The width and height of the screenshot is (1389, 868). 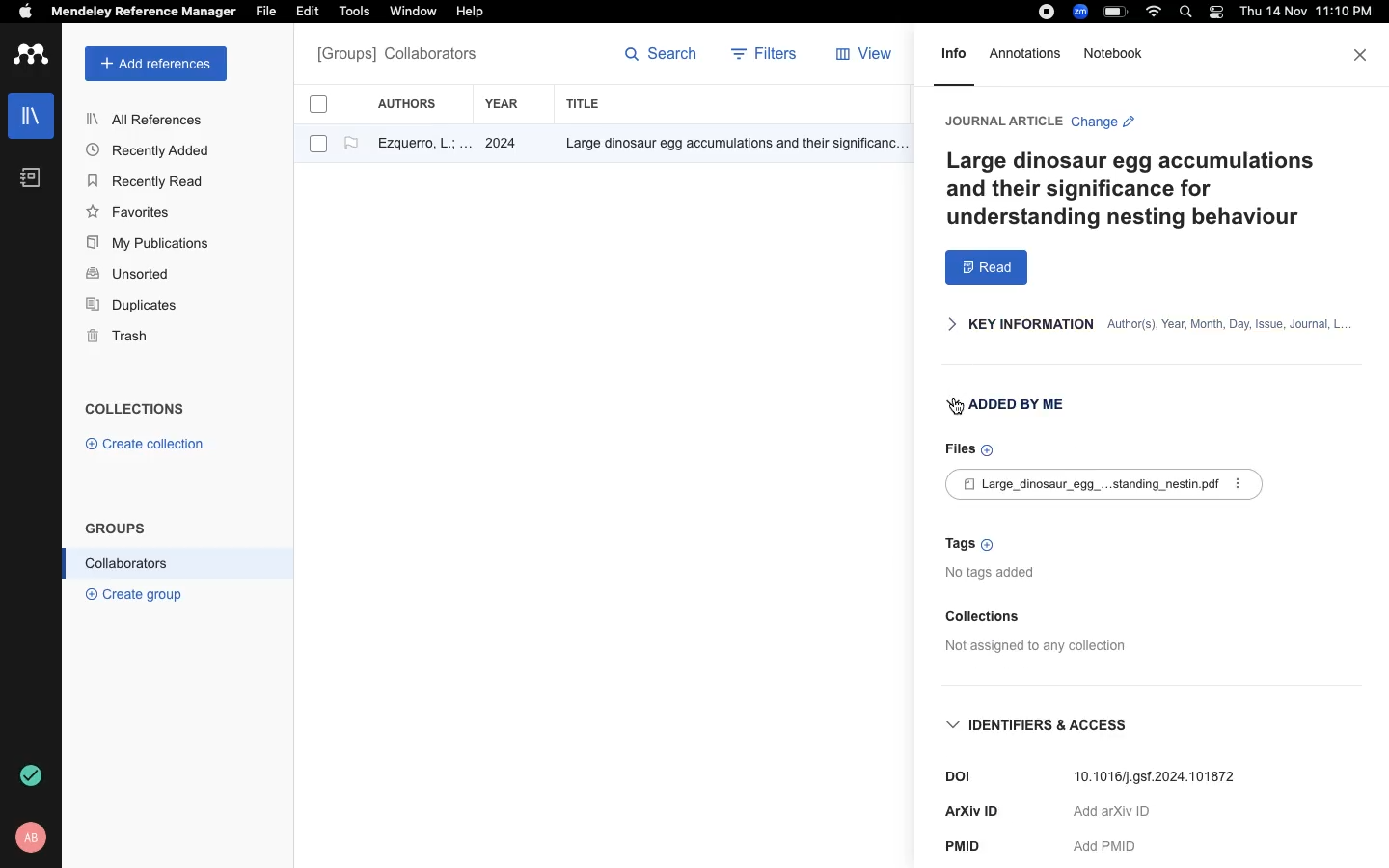 I want to click on search, so click(x=662, y=58).